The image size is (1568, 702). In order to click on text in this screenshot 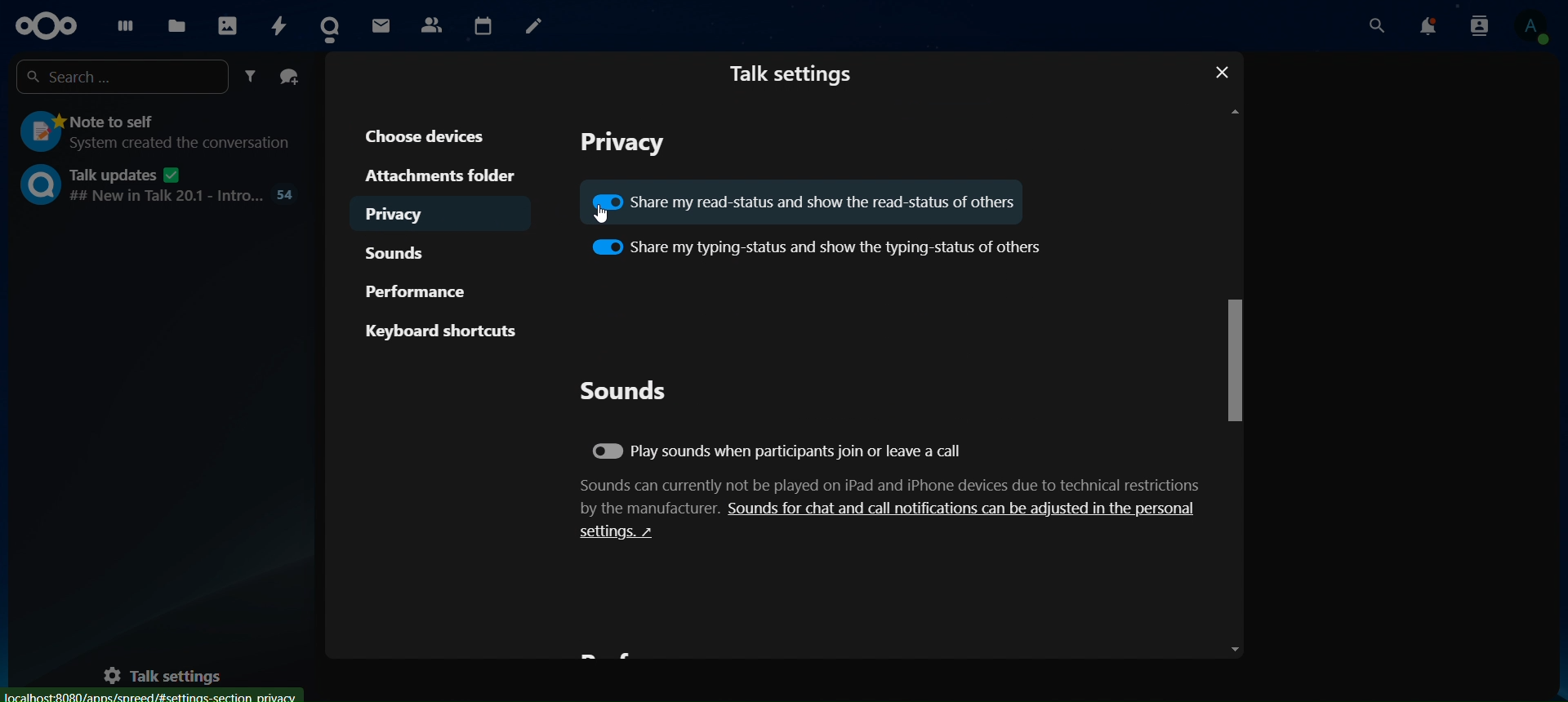, I will do `click(893, 509)`.